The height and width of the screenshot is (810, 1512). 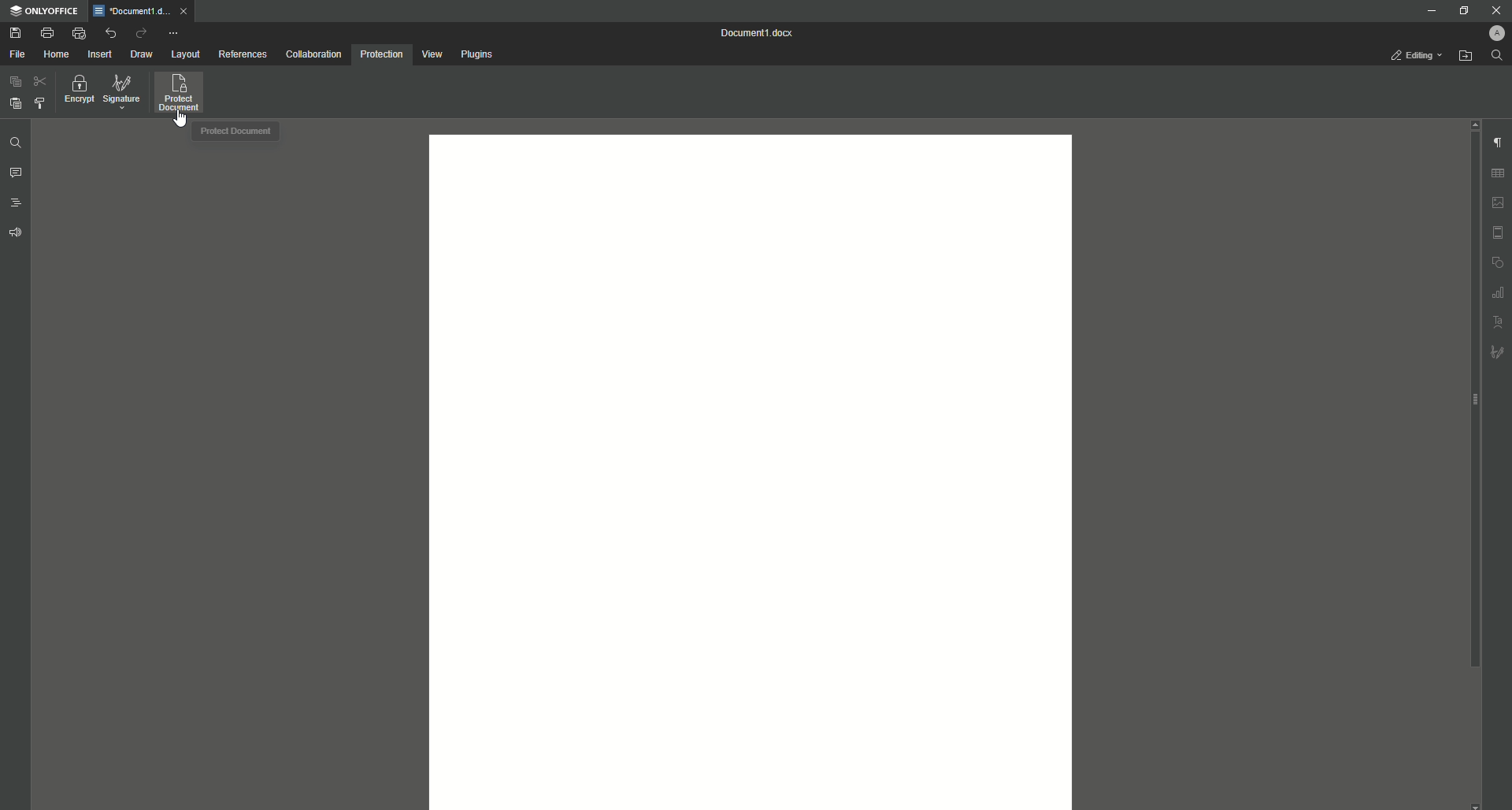 What do you see at coordinates (1499, 232) in the screenshot?
I see `Header/Footer settings` at bounding box center [1499, 232].